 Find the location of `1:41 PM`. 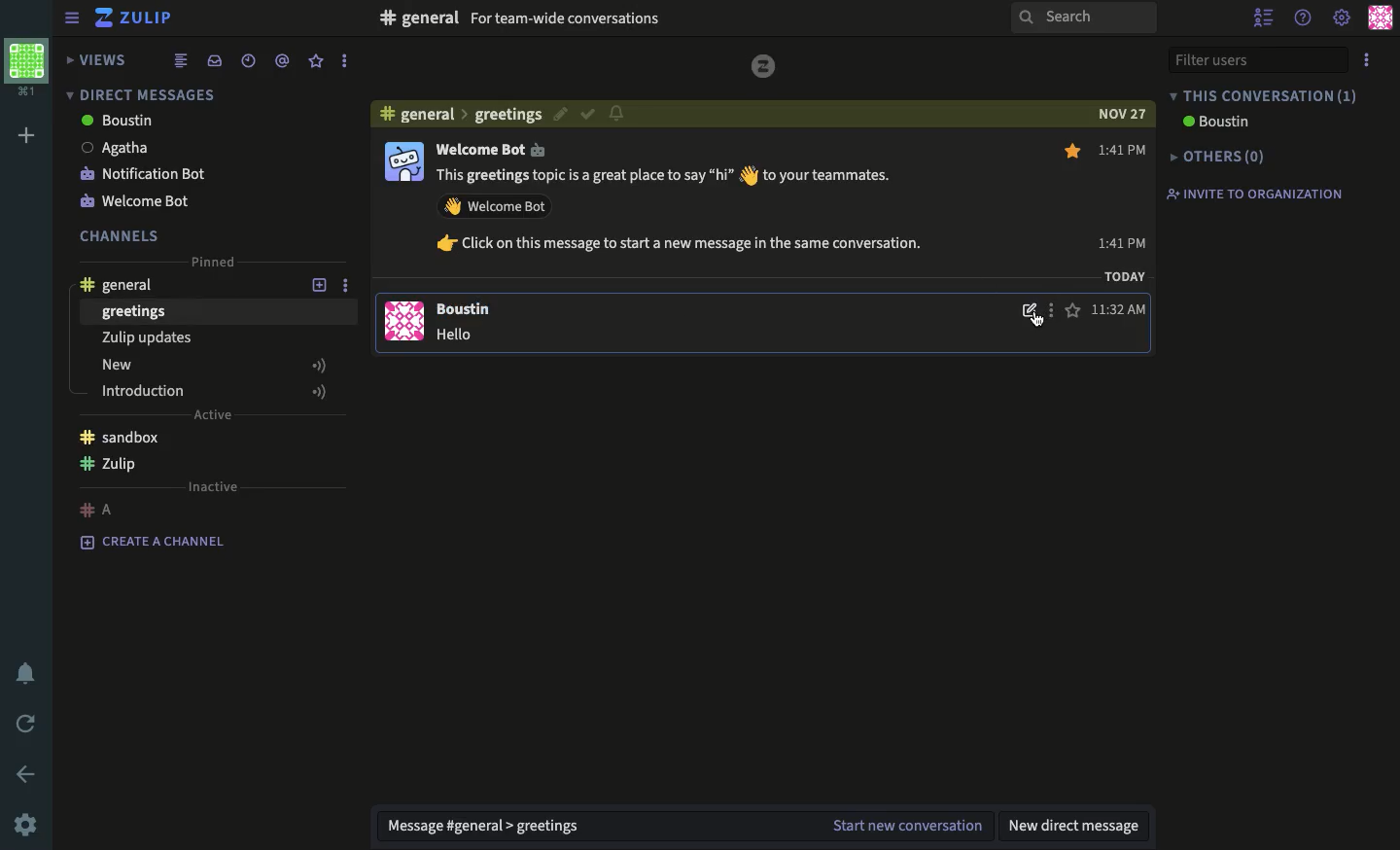

1:41 PM is located at coordinates (1120, 310).